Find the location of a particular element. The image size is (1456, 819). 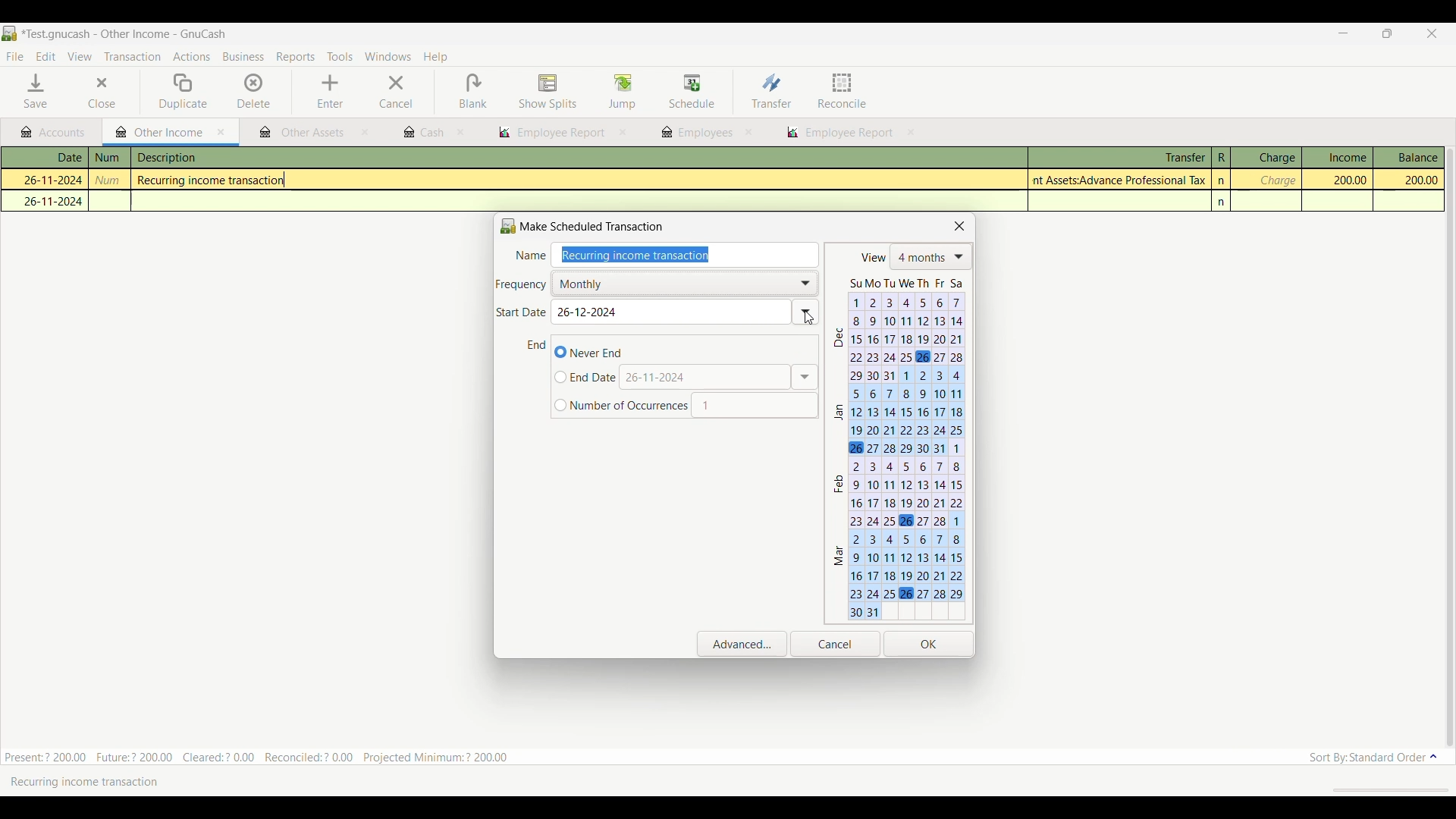

Calendar drop down to select end date is located at coordinates (805, 377).